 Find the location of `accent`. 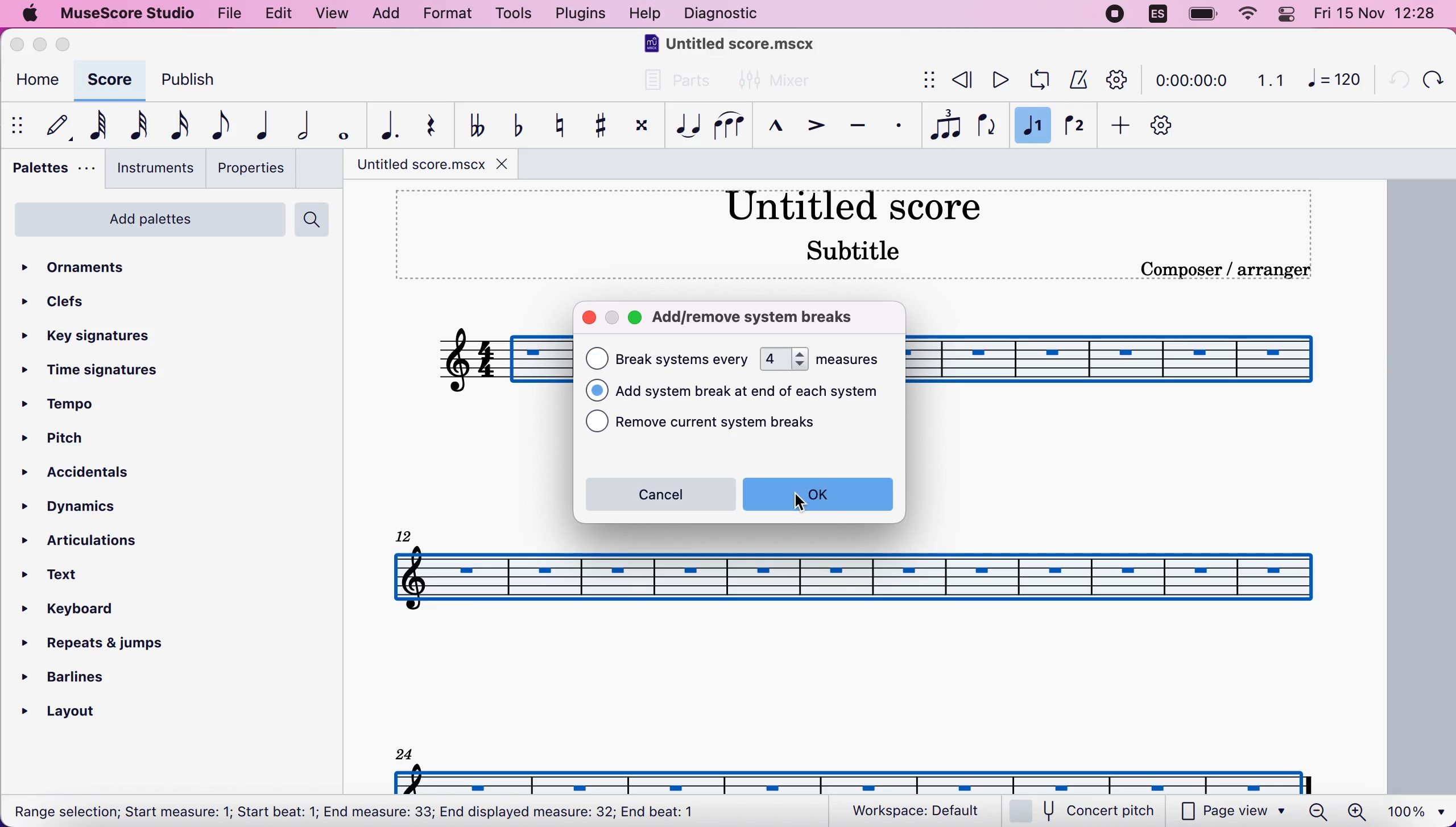

accent is located at coordinates (810, 127).